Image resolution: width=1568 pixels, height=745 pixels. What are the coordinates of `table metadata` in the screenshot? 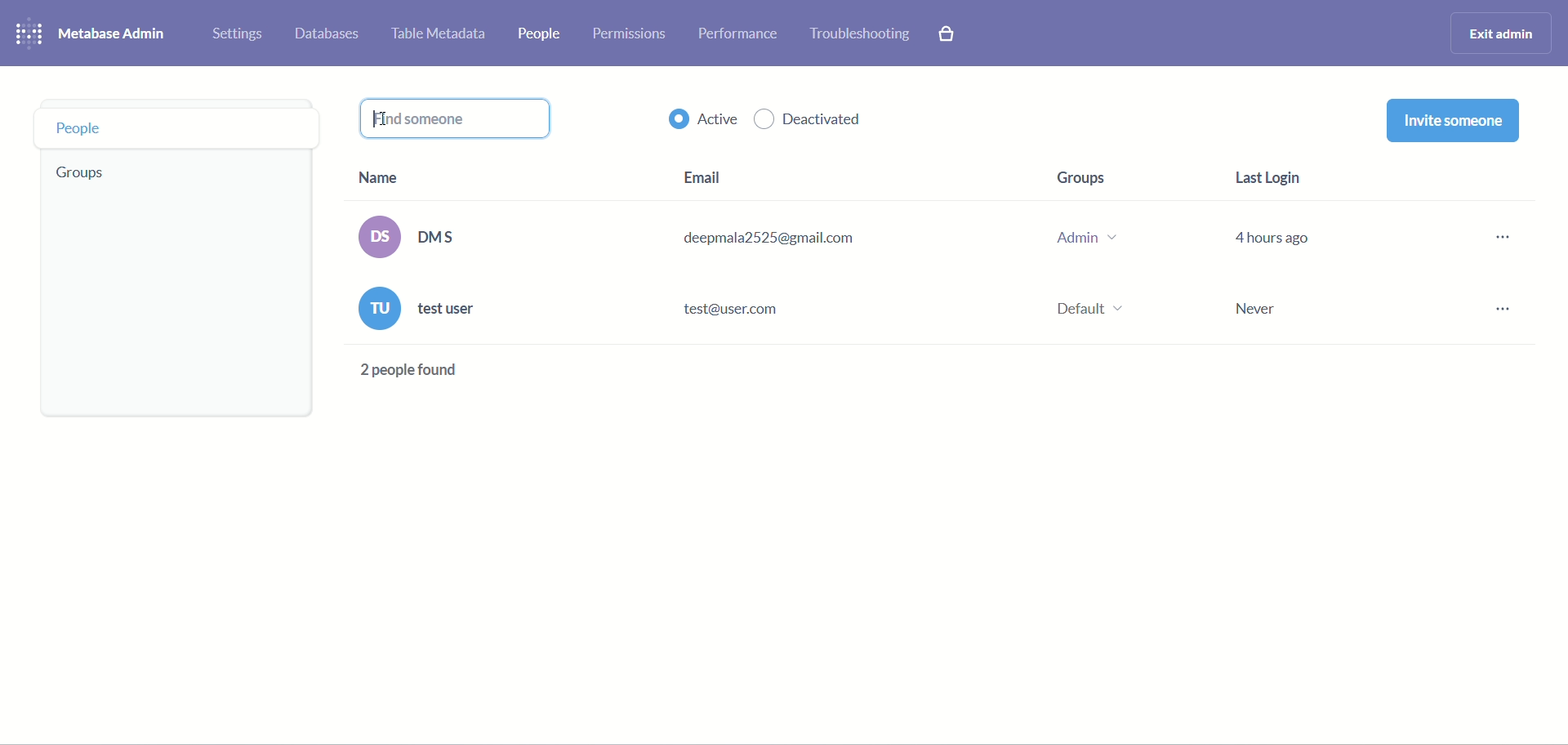 It's located at (439, 38).